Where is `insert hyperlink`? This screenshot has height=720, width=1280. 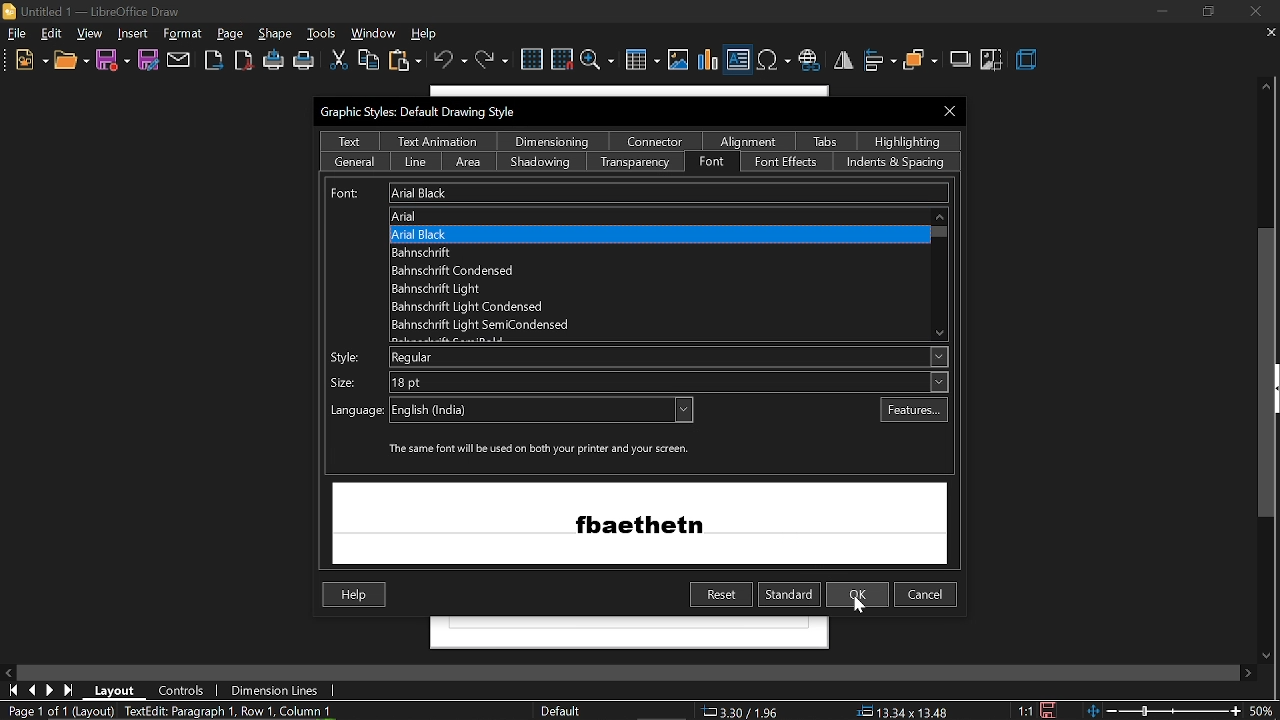 insert hyperlink is located at coordinates (809, 62).